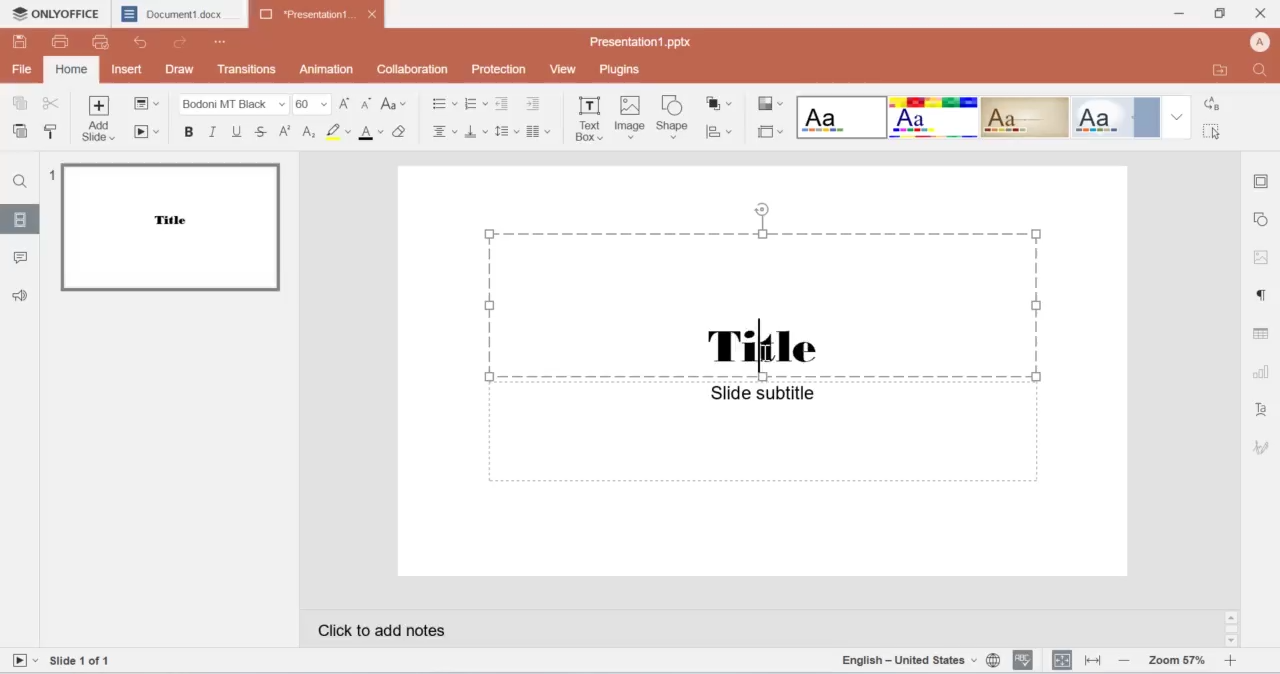 This screenshot has height=674, width=1280. What do you see at coordinates (1214, 134) in the screenshot?
I see `cursor` at bounding box center [1214, 134].